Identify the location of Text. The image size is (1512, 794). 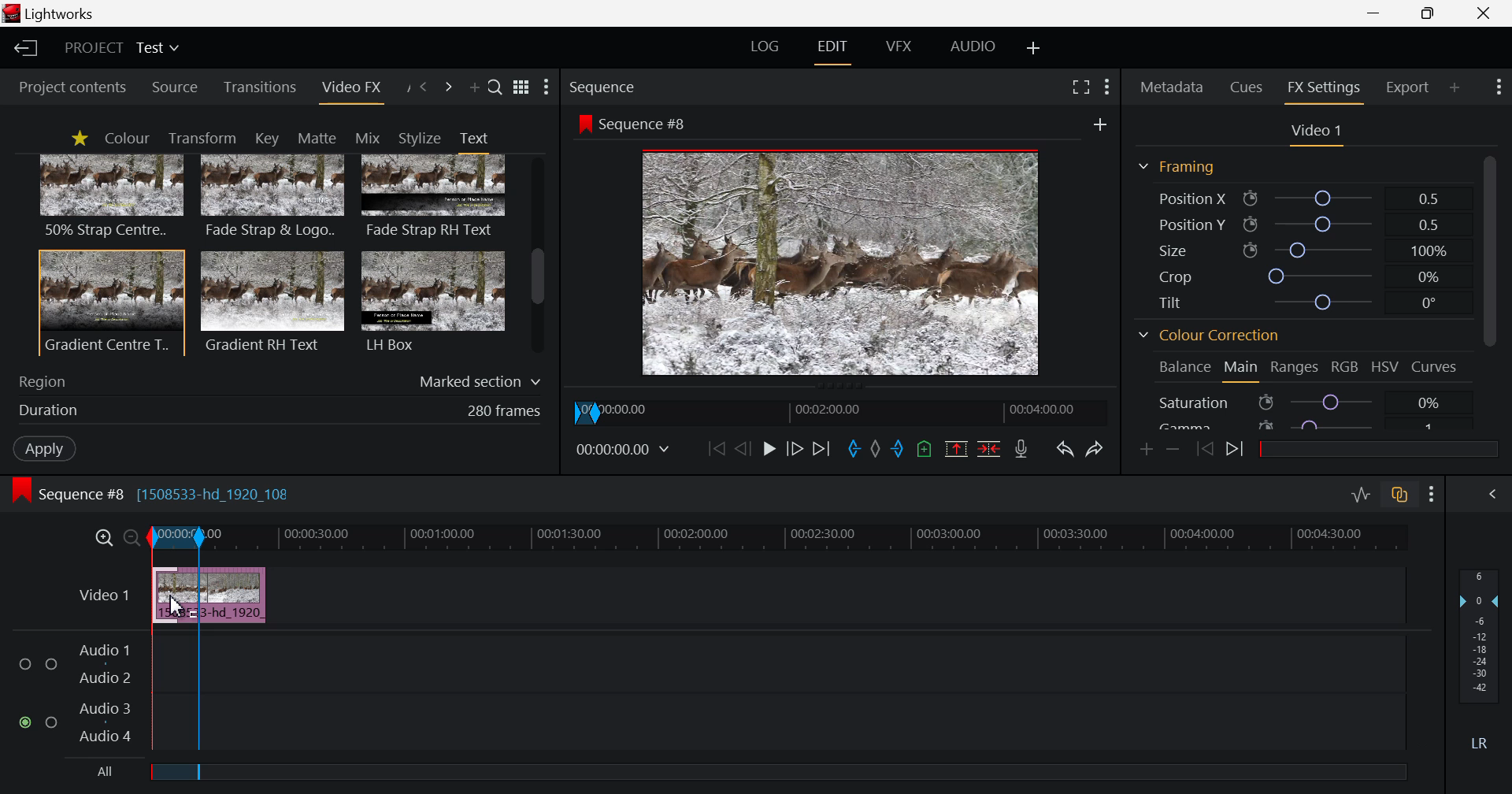
(473, 138).